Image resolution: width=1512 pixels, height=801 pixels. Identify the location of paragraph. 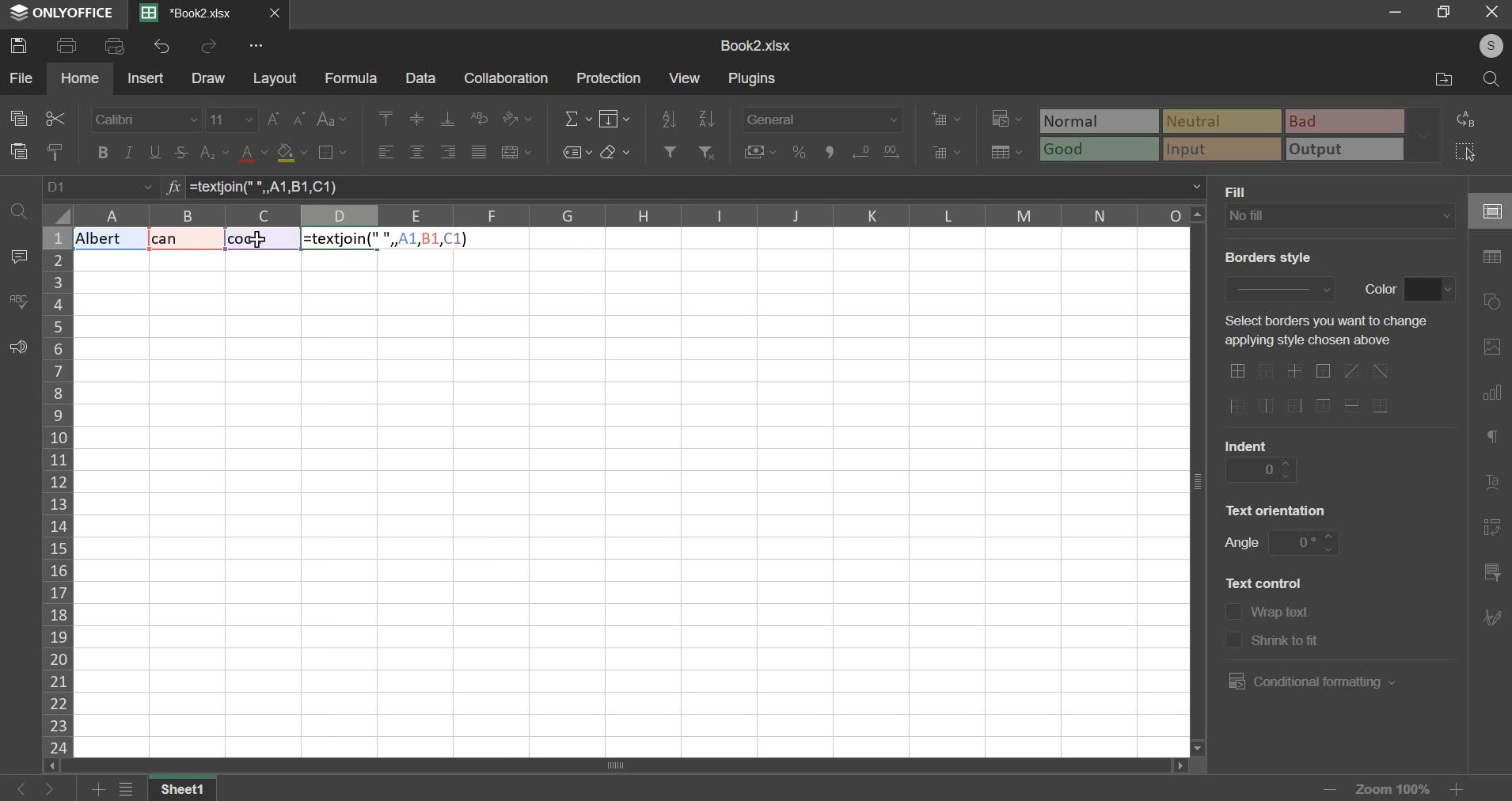
(1491, 439).